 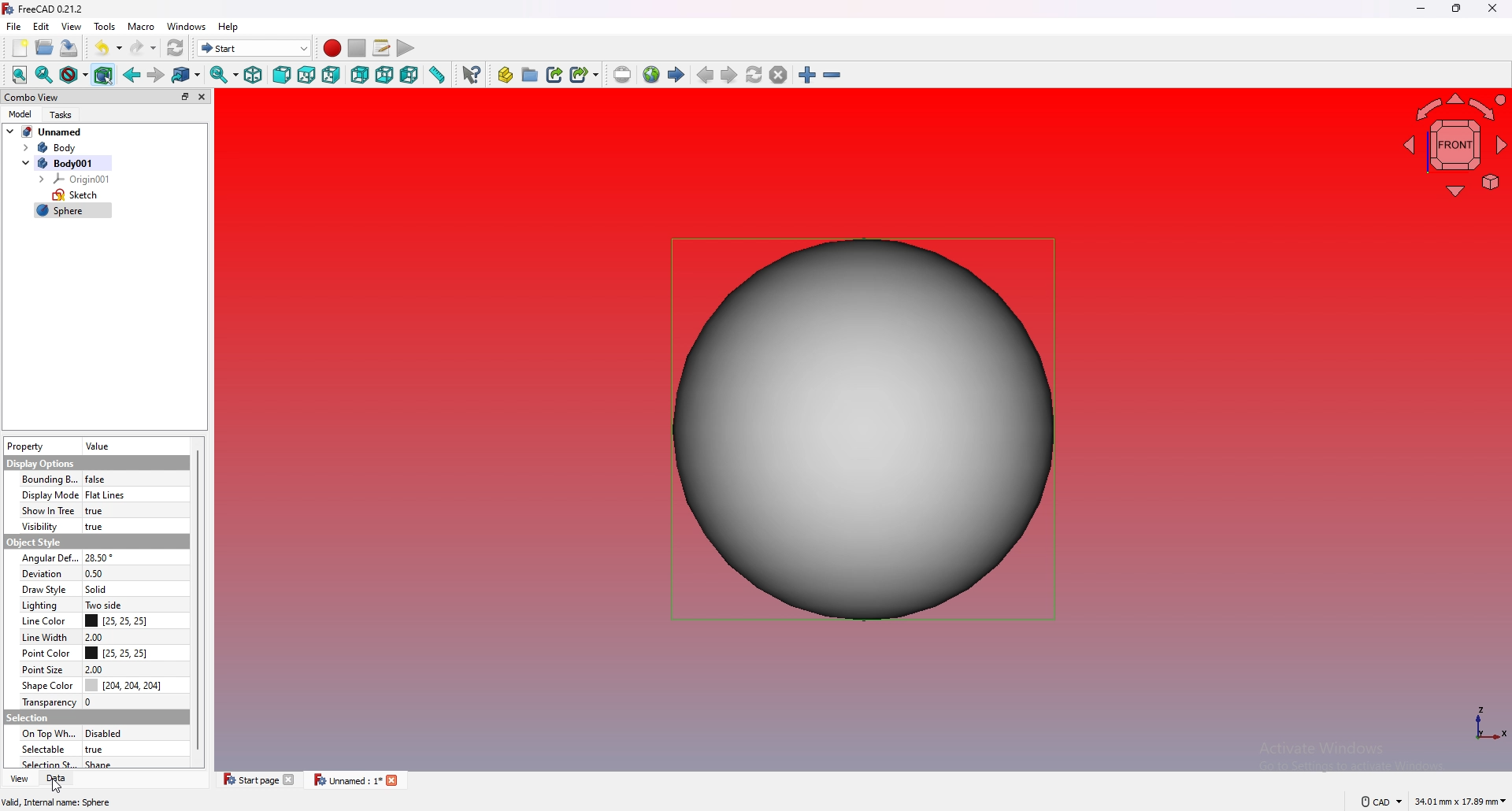 What do you see at coordinates (385, 76) in the screenshot?
I see `bottom` at bounding box center [385, 76].